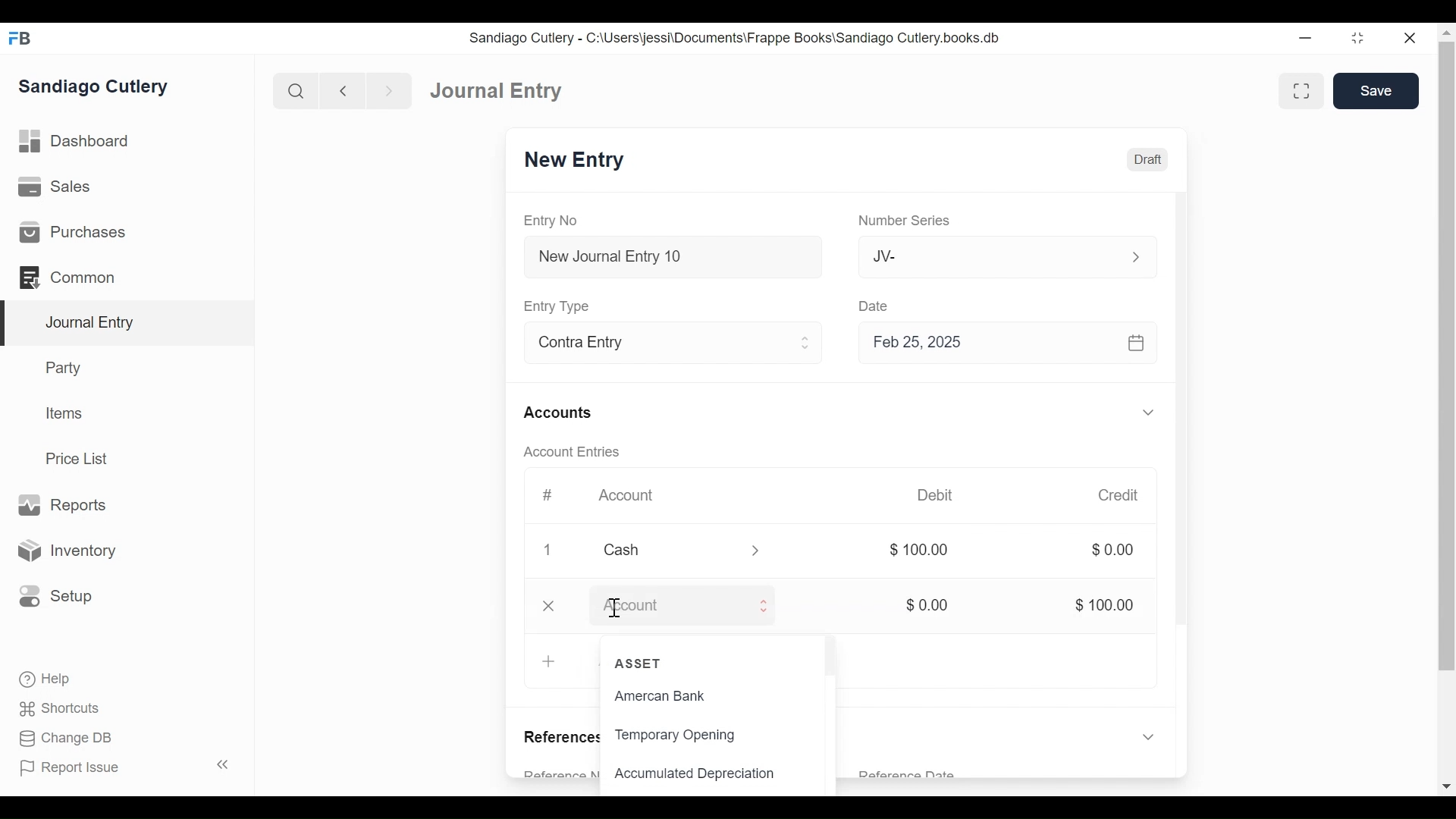 Image resolution: width=1456 pixels, height=819 pixels. What do you see at coordinates (612, 608) in the screenshot?
I see `Cursor` at bounding box center [612, 608].